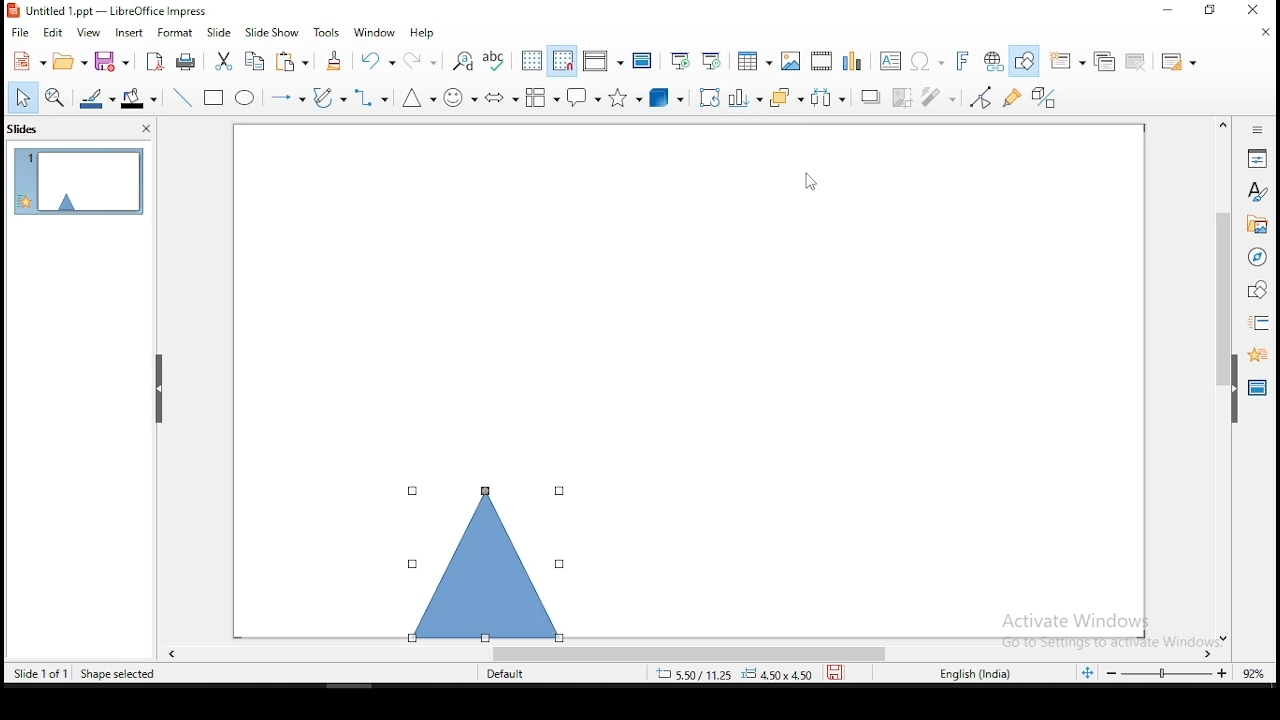 The width and height of the screenshot is (1280, 720). Describe the element at coordinates (294, 62) in the screenshot. I see `paste` at that location.